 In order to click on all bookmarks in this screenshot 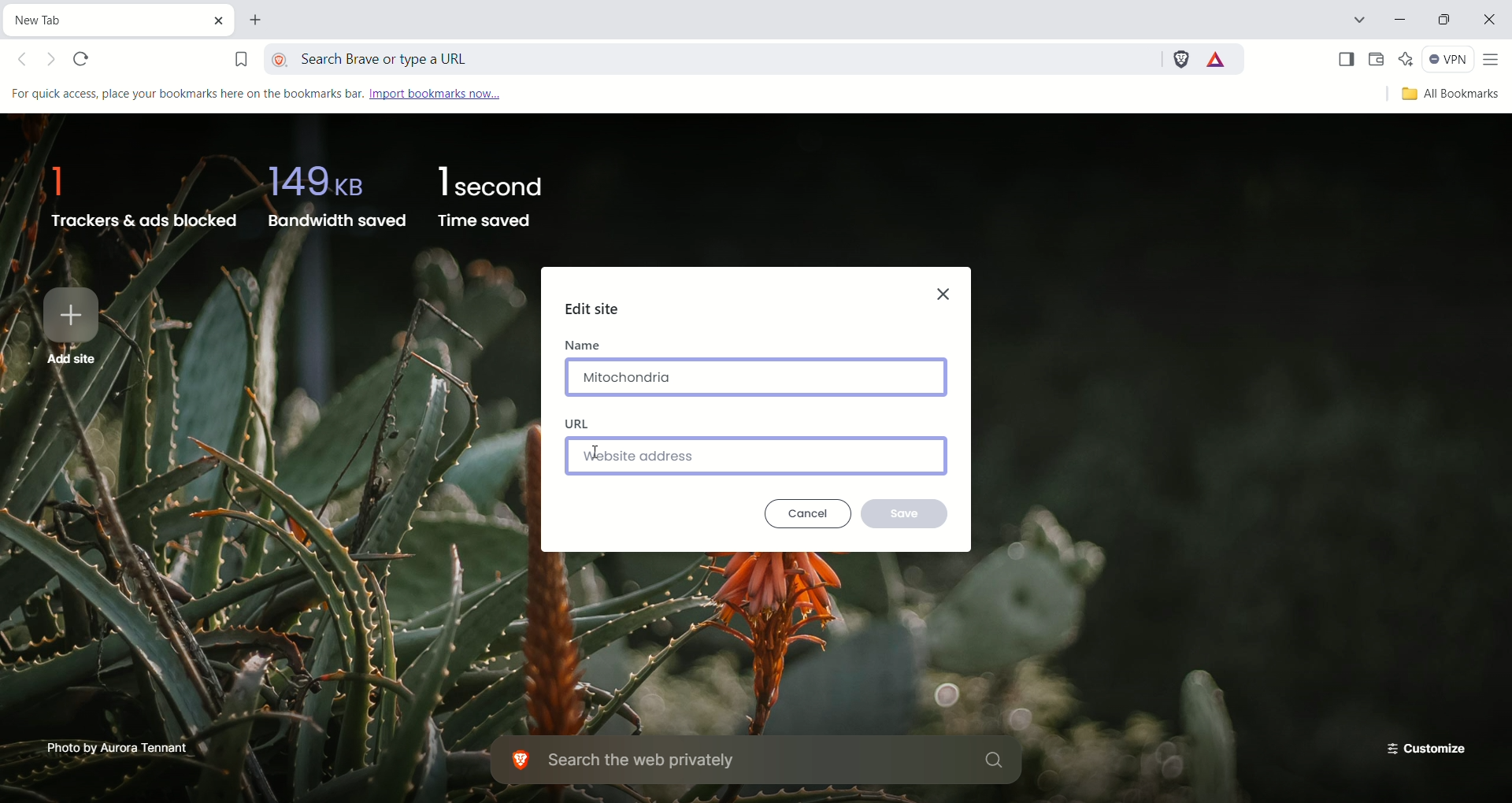, I will do `click(1447, 95)`.